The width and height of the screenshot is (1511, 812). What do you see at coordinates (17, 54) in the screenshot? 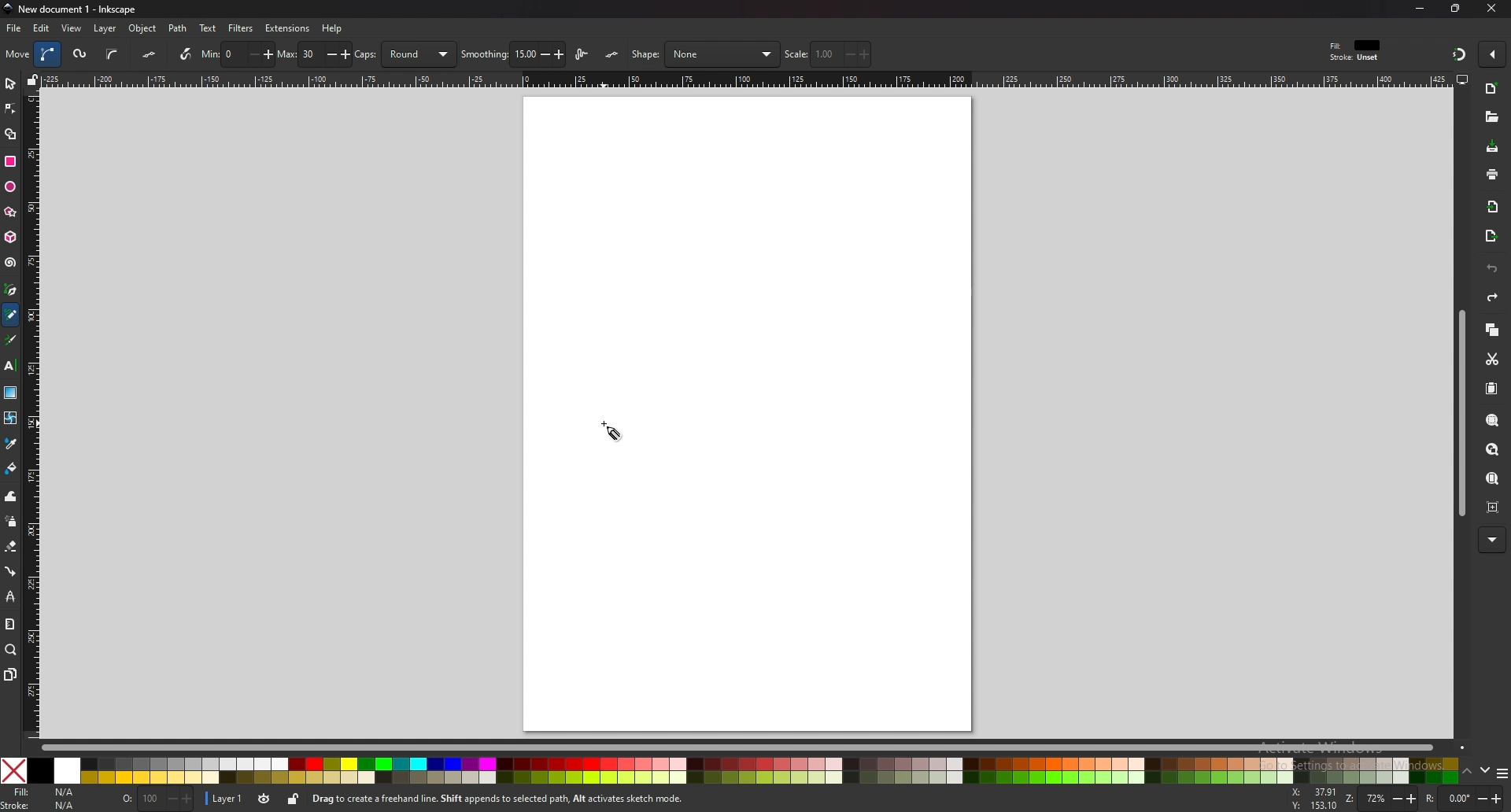
I see `move` at bounding box center [17, 54].